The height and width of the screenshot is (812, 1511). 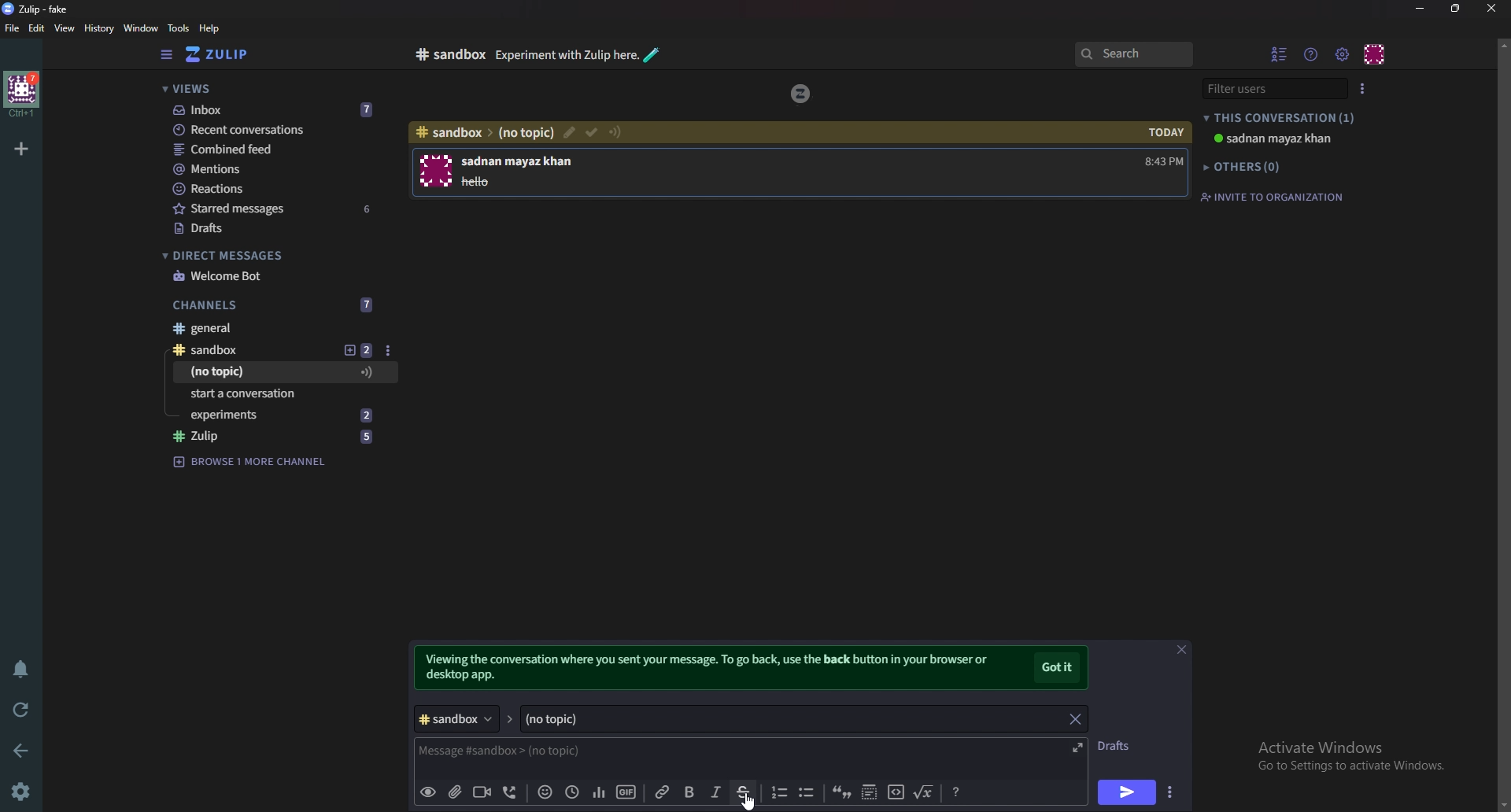 I want to click on zulip, so click(x=799, y=93).